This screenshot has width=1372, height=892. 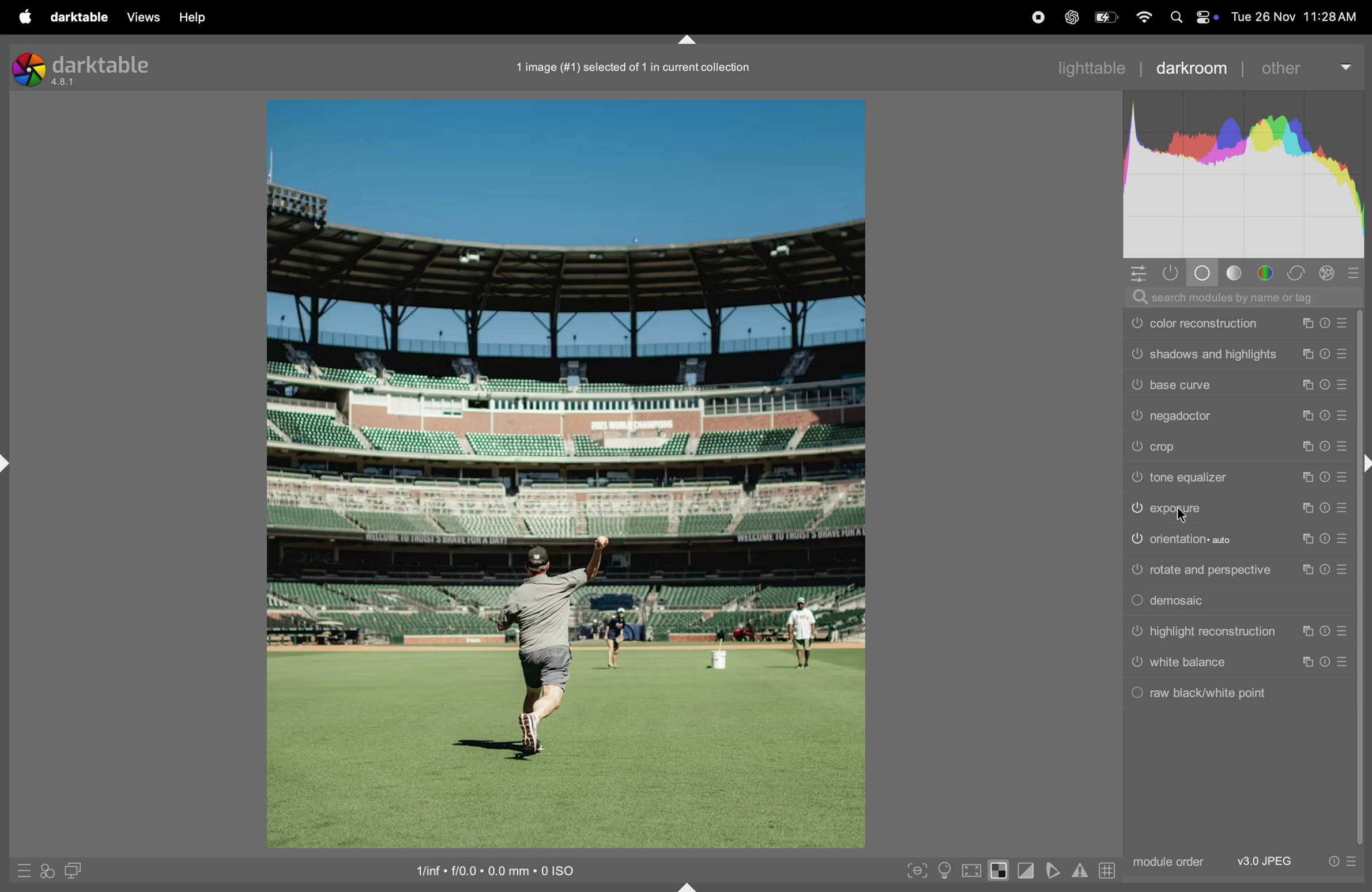 What do you see at coordinates (1327, 384) in the screenshot?
I see `reset presets` at bounding box center [1327, 384].